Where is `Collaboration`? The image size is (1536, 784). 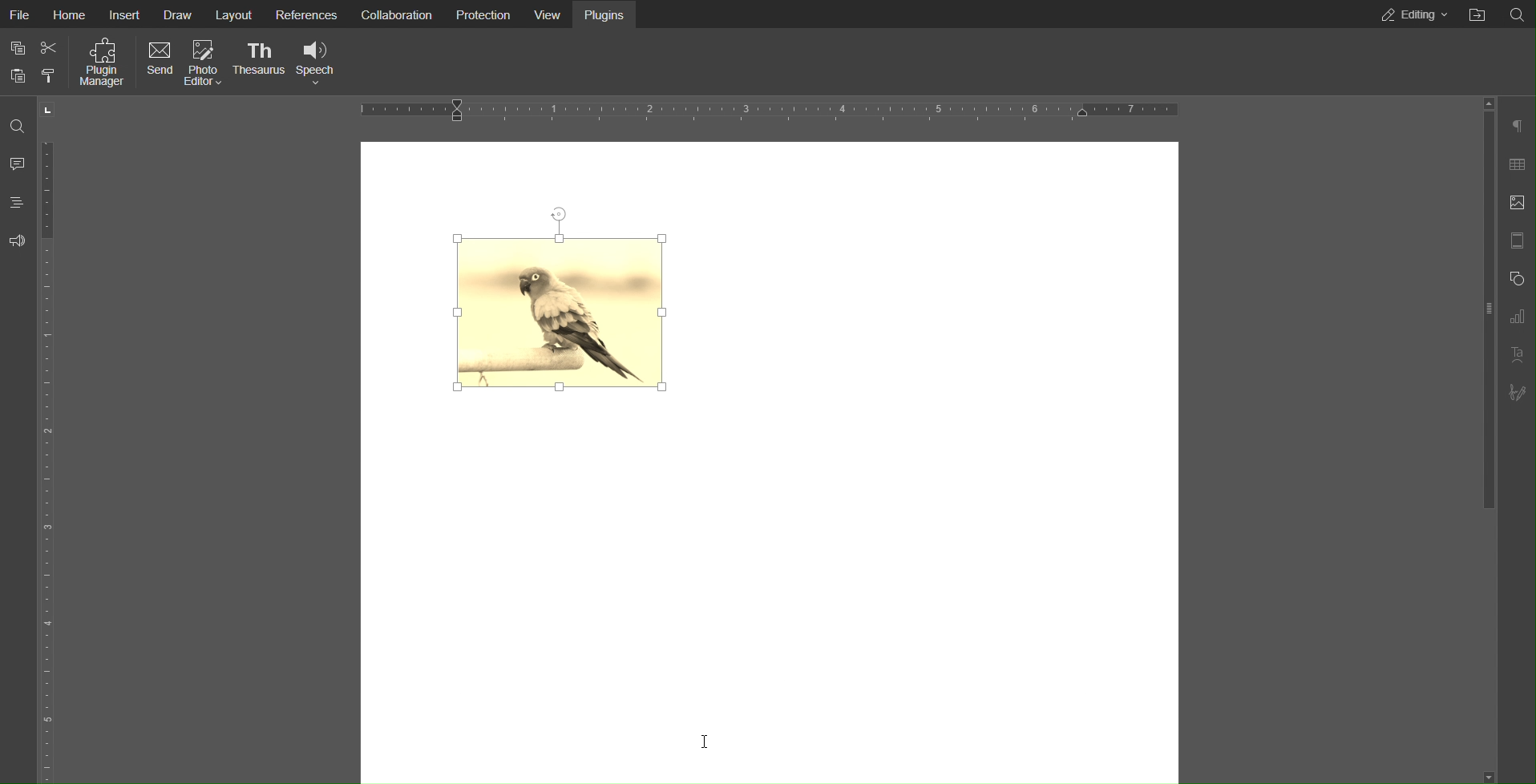 Collaboration is located at coordinates (392, 14).